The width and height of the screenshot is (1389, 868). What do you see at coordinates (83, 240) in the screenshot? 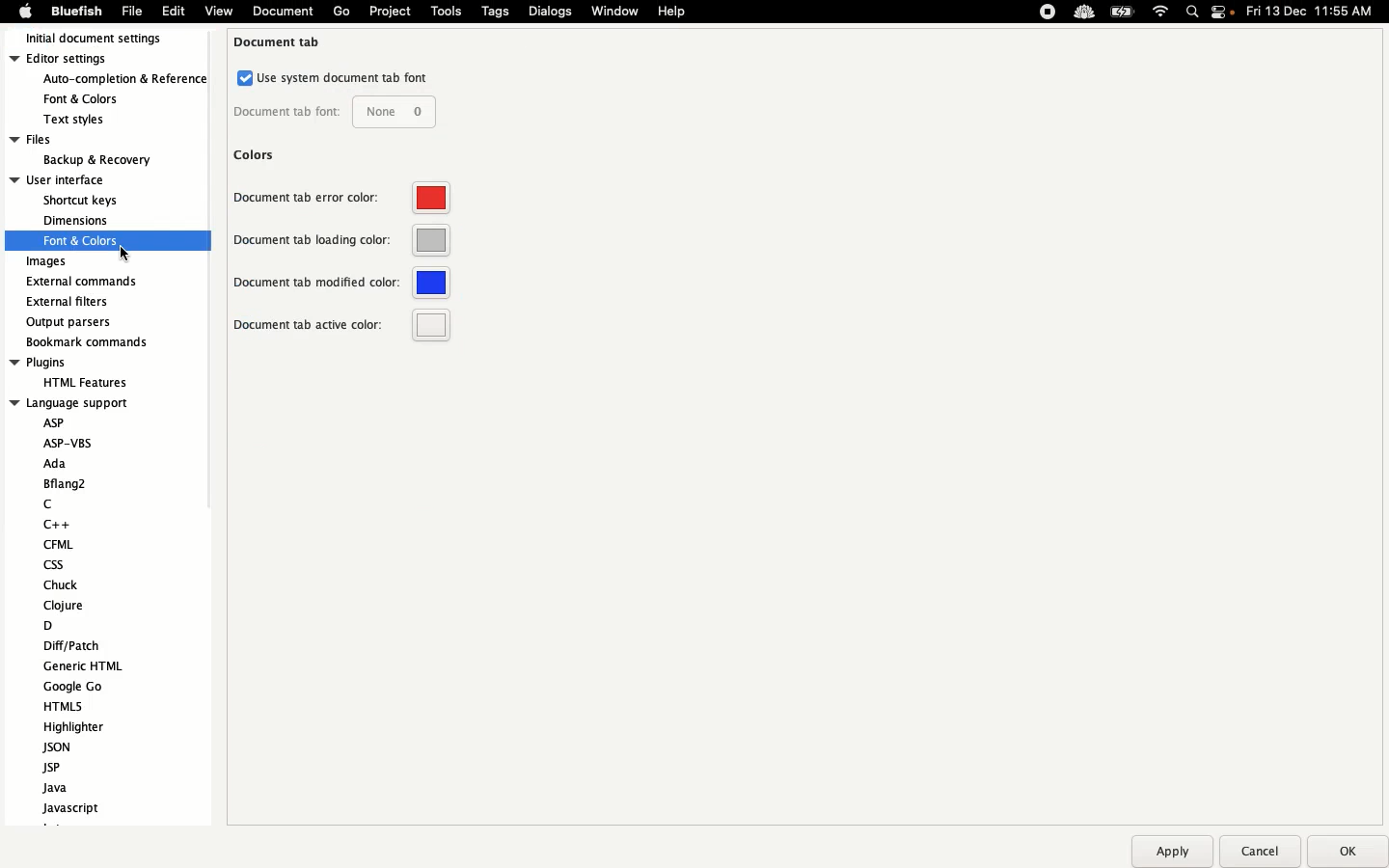
I see `fonts and colors` at bounding box center [83, 240].